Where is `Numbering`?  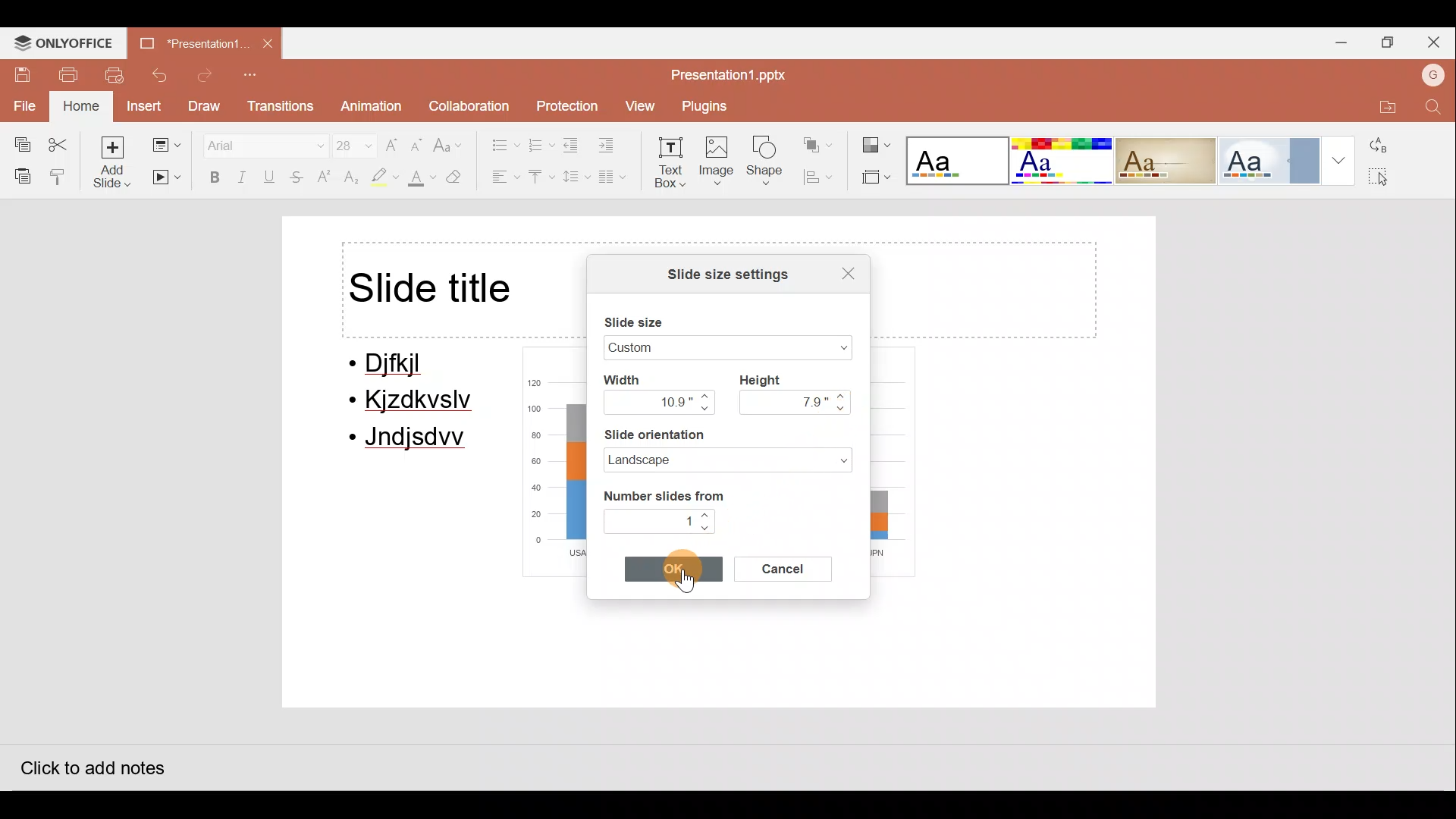
Numbering is located at coordinates (541, 143).